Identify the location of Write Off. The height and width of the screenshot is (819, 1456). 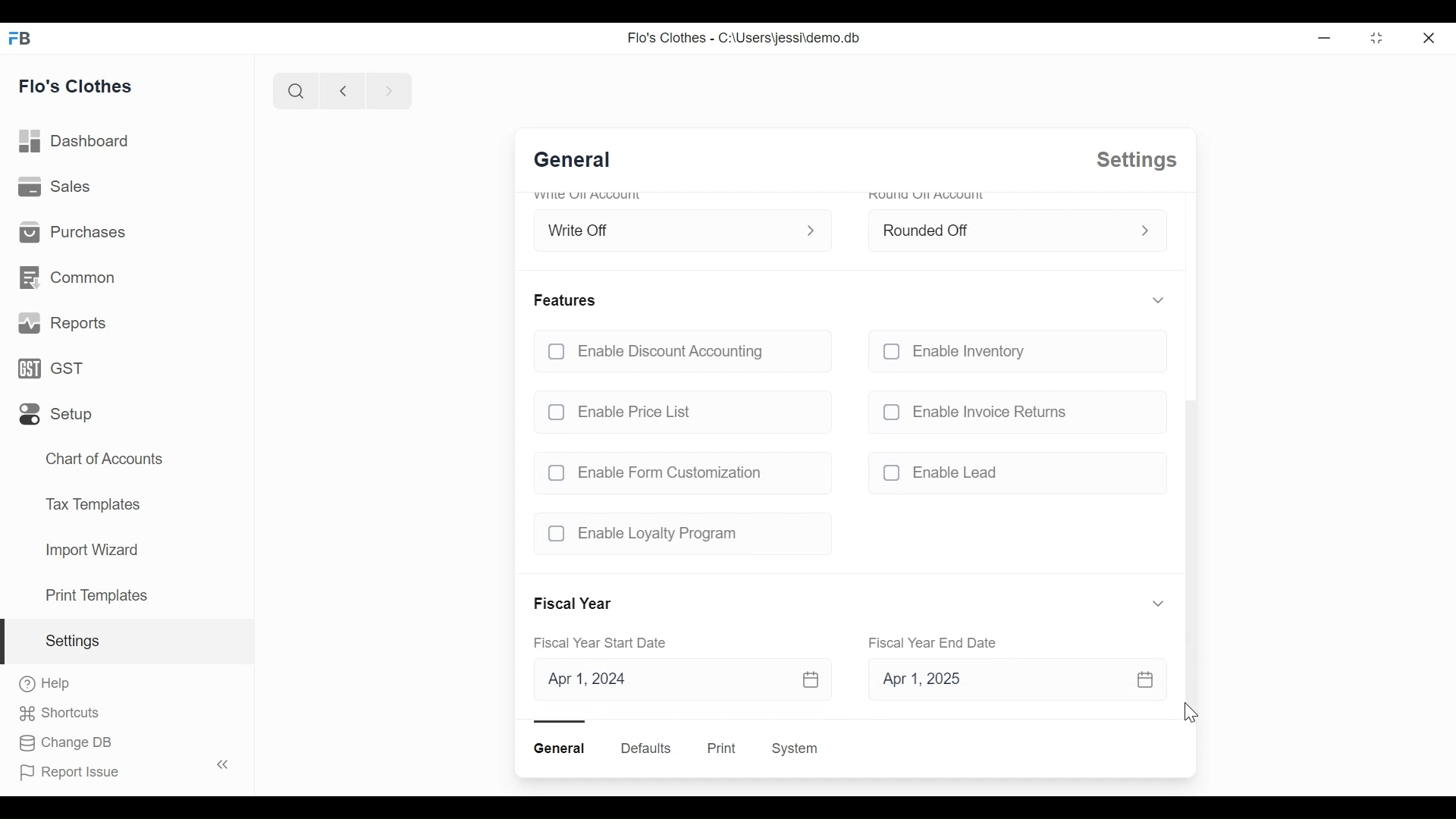
(667, 227).